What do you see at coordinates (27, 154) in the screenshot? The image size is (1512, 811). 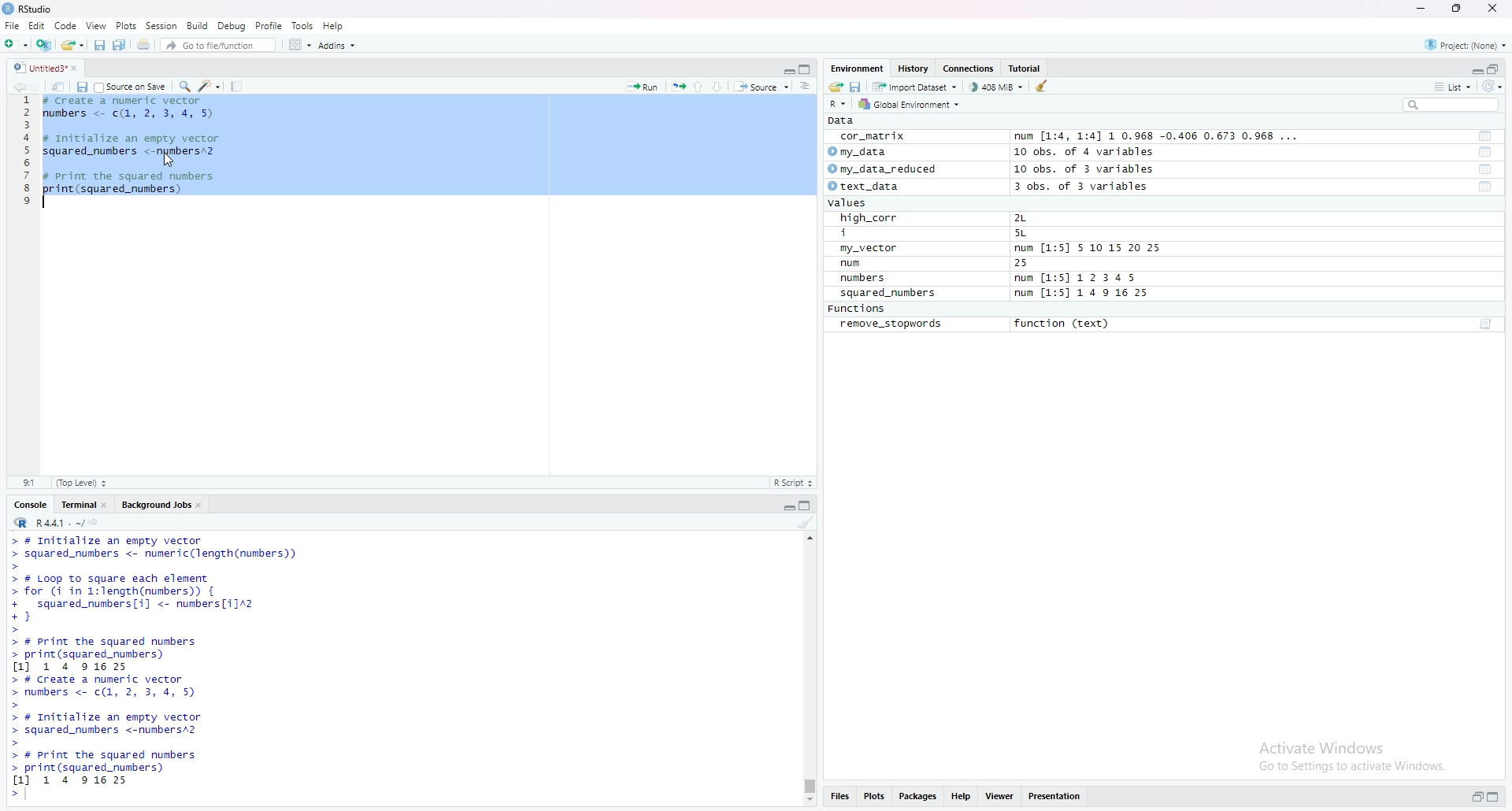 I see `line number` at bounding box center [27, 154].